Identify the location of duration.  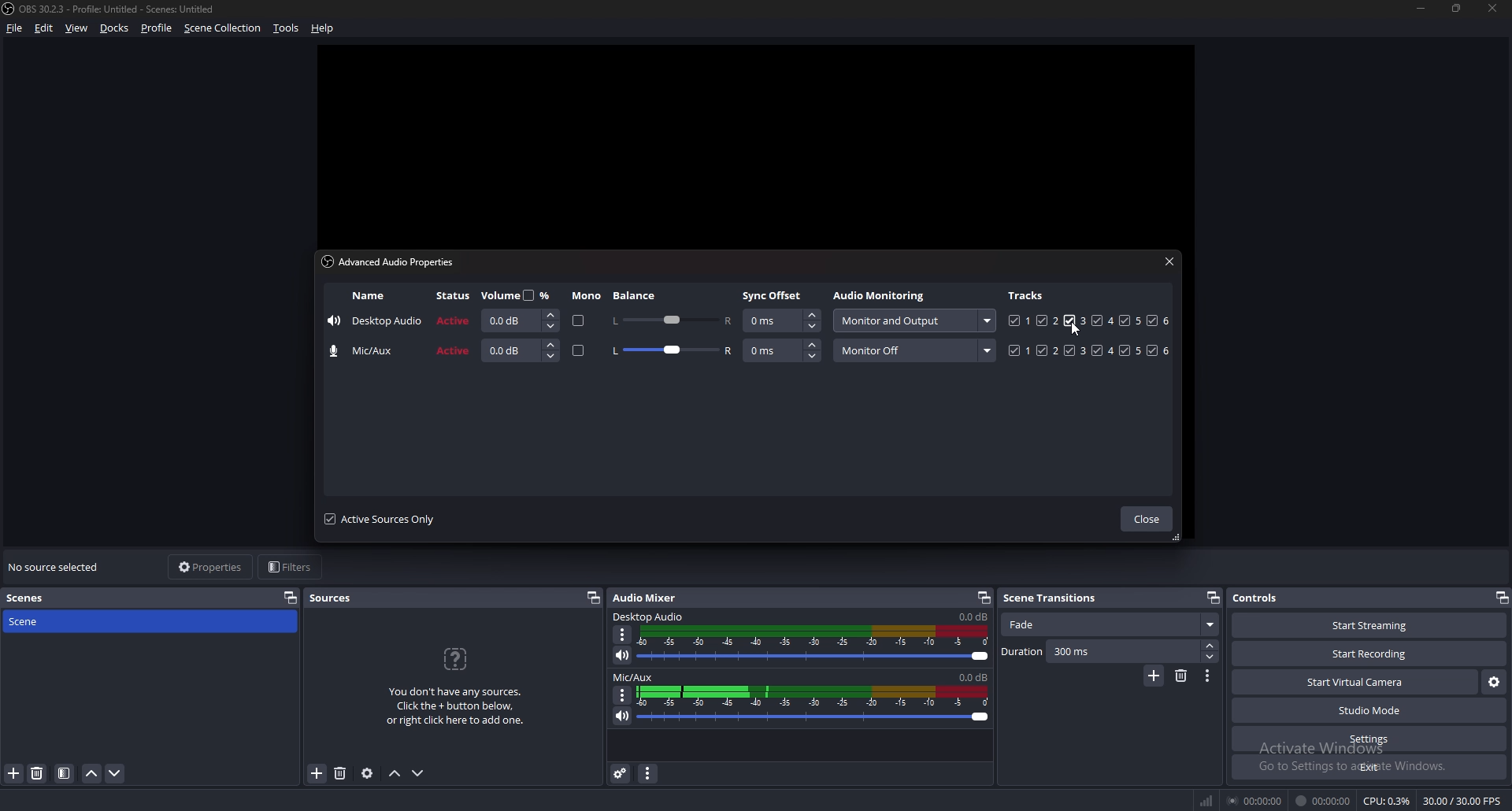
(1099, 652).